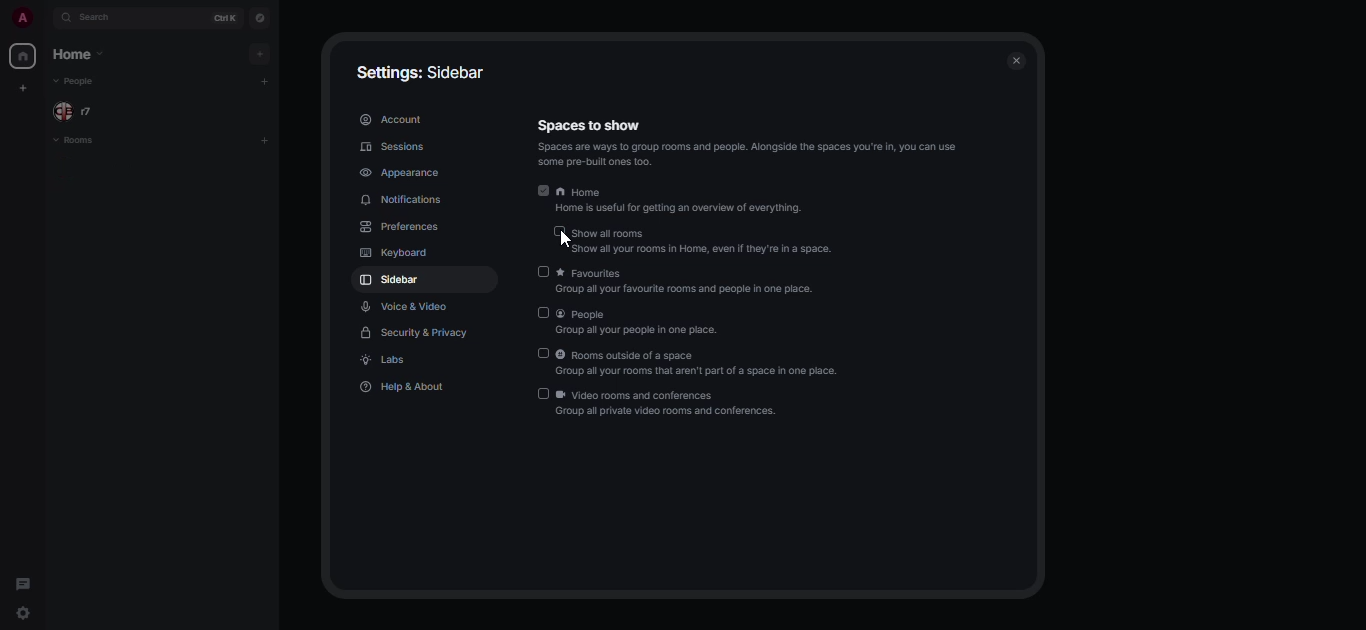 This screenshot has width=1366, height=630. What do you see at coordinates (543, 353) in the screenshot?
I see `disabled` at bounding box center [543, 353].